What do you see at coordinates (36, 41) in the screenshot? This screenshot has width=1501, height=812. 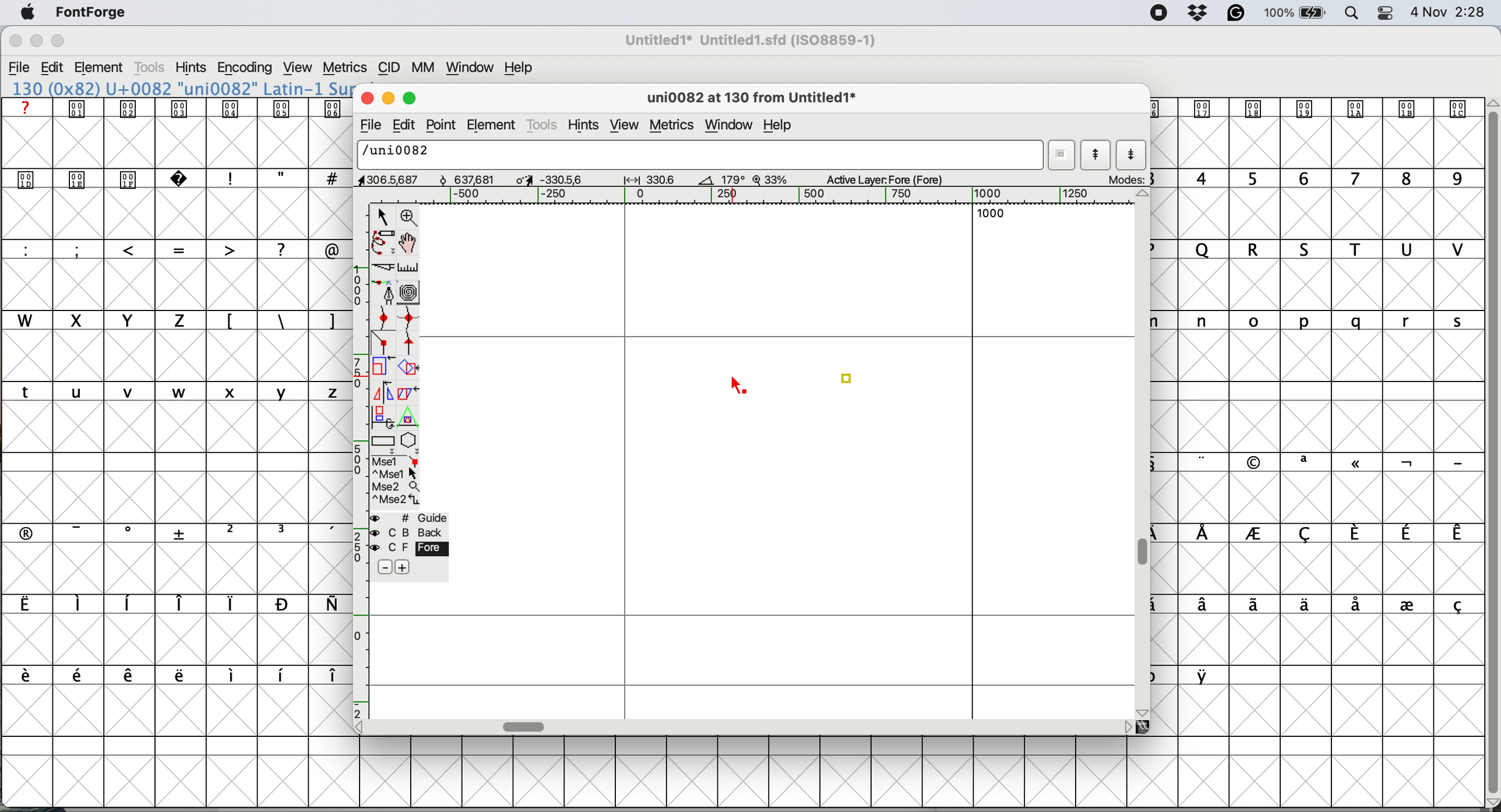 I see `minimise` at bounding box center [36, 41].